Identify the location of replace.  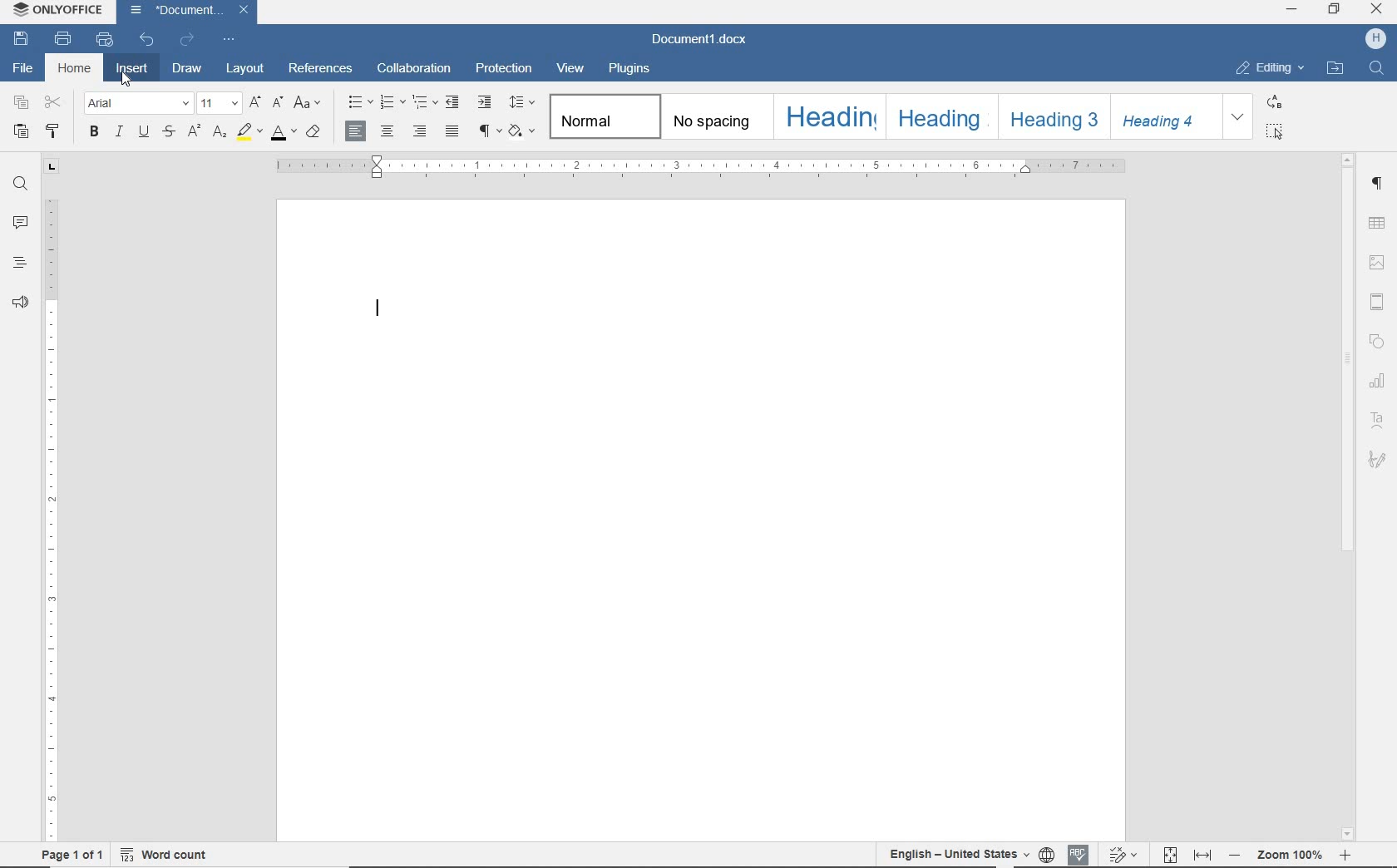
(1275, 101).